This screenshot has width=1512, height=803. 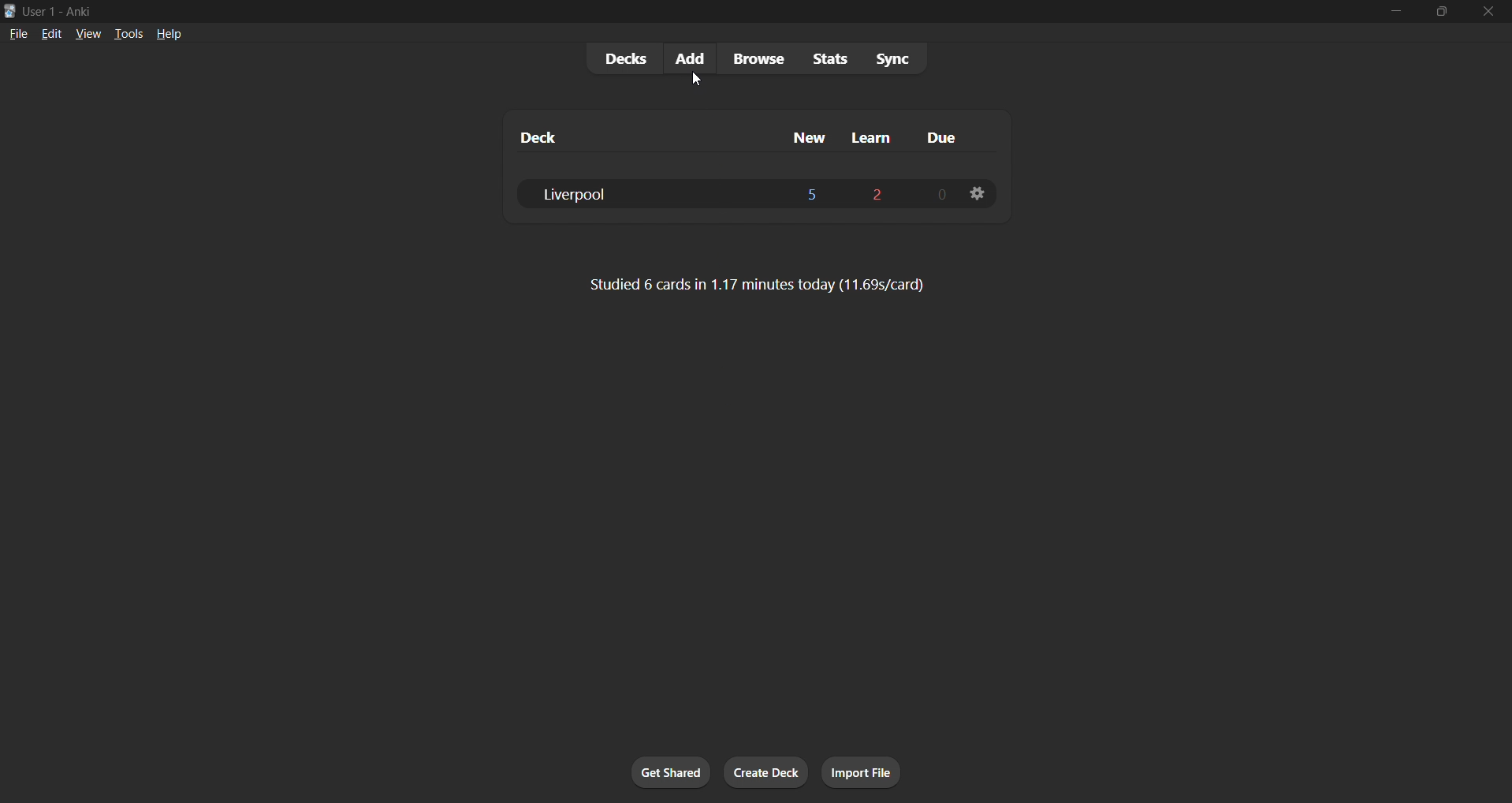 I want to click on import file, so click(x=862, y=771).